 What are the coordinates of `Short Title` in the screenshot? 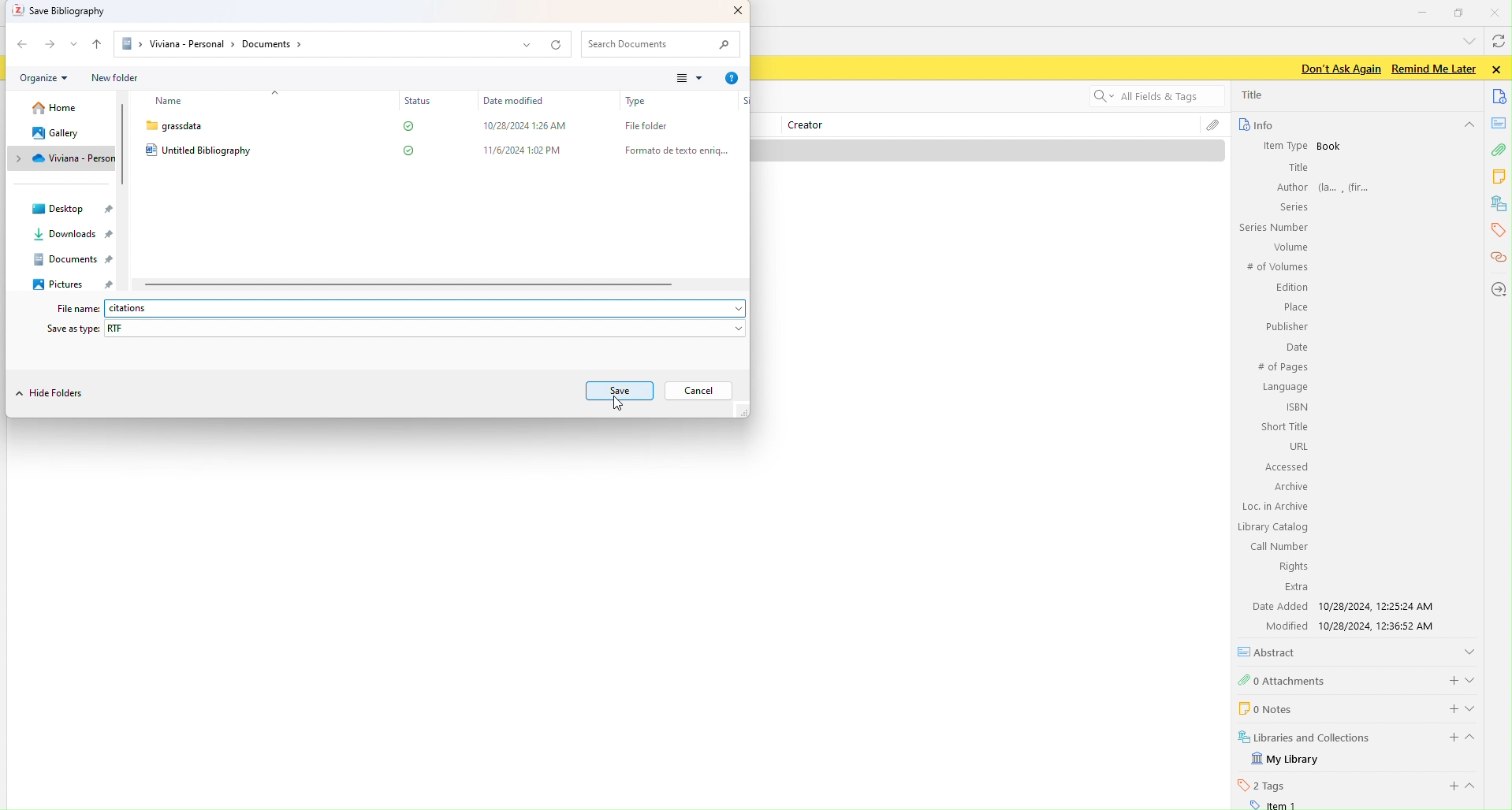 It's located at (1286, 426).